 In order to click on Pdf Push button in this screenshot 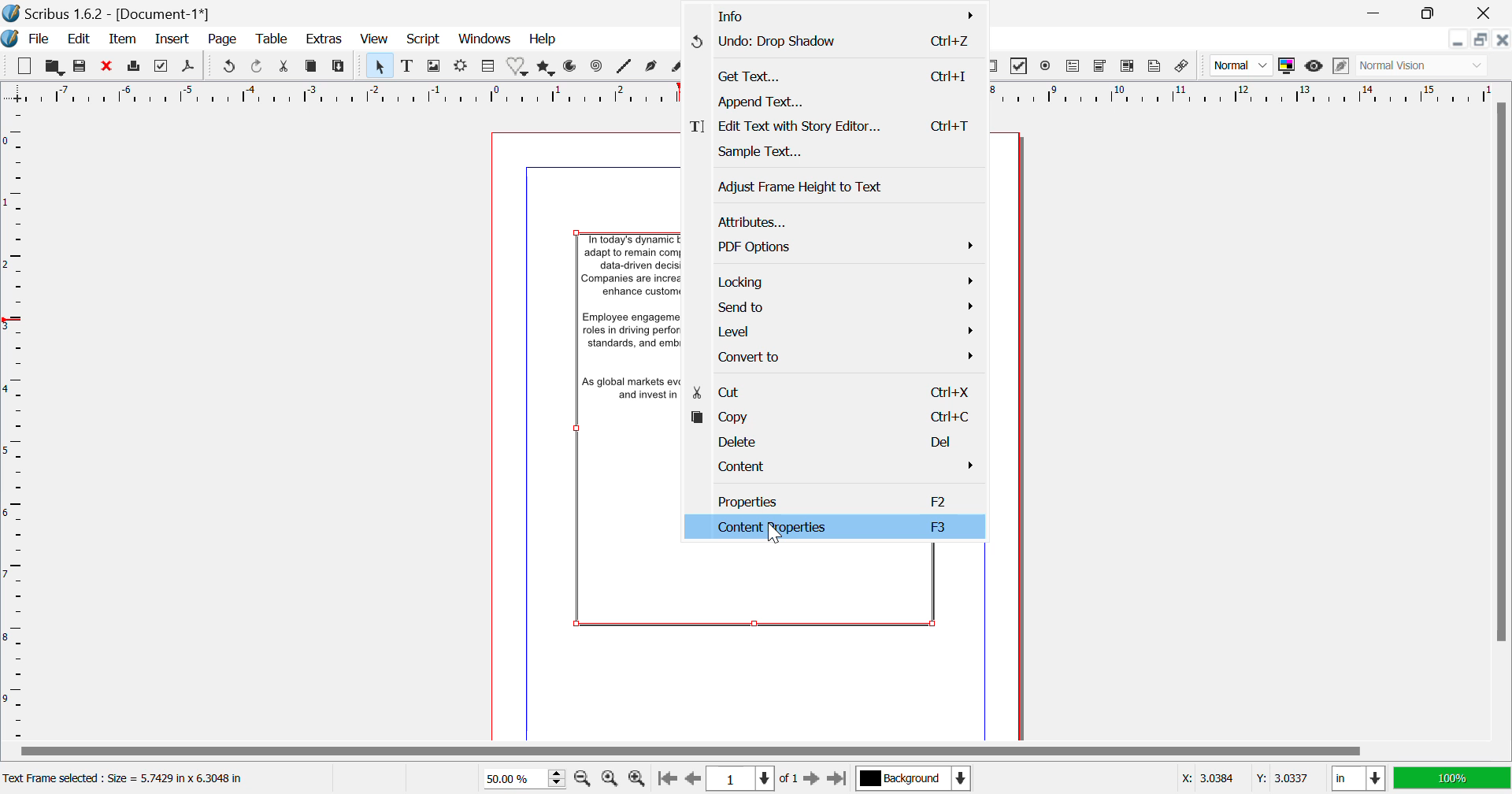, I will do `click(996, 65)`.